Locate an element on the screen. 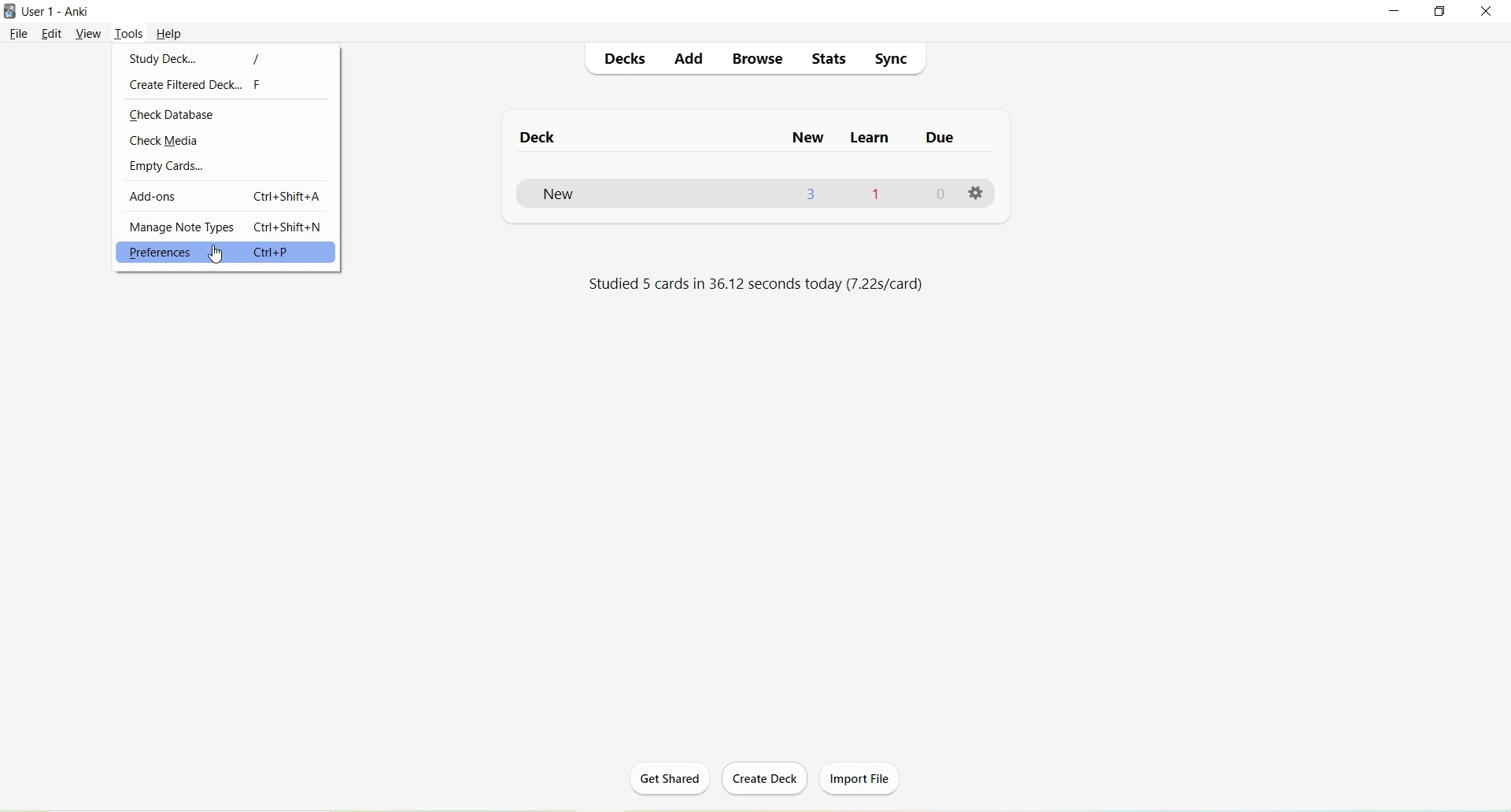 This screenshot has height=812, width=1511. Learn is located at coordinates (871, 140).